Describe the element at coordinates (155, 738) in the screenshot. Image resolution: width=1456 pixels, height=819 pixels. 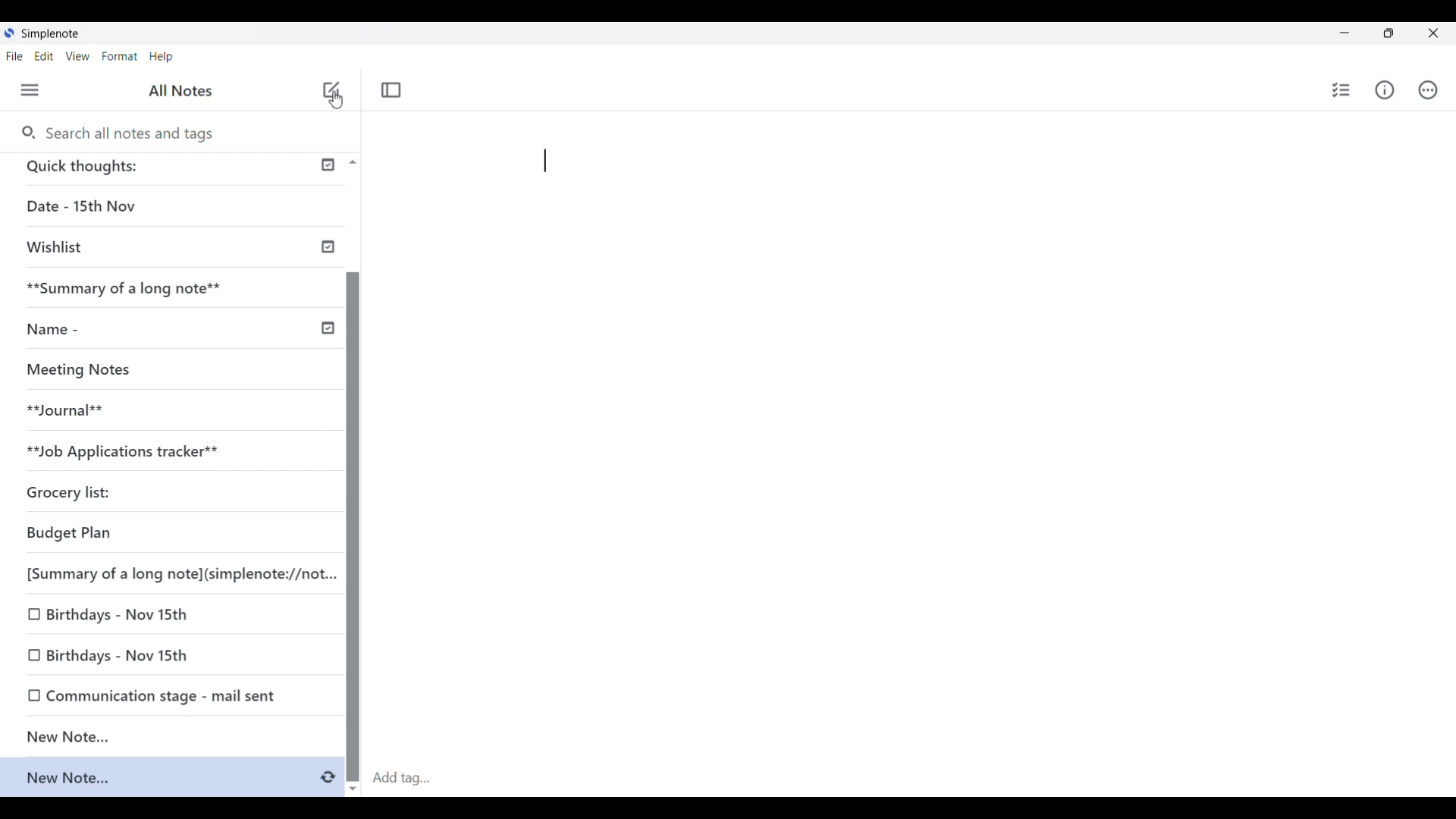
I see `New Note...` at that location.